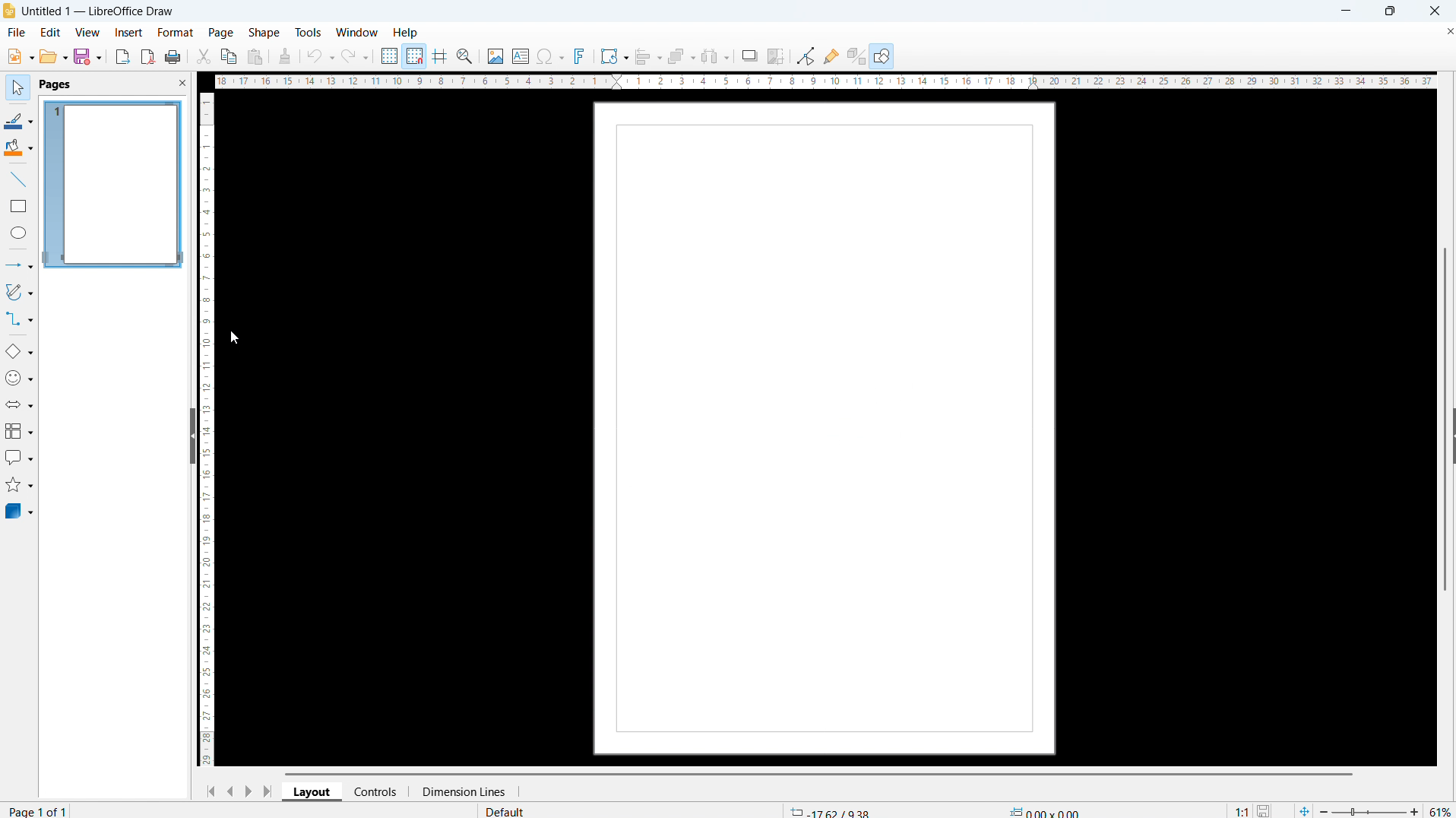 This screenshot has height=818, width=1456. What do you see at coordinates (580, 56) in the screenshot?
I see `insert fontwork text` at bounding box center [580, 56].